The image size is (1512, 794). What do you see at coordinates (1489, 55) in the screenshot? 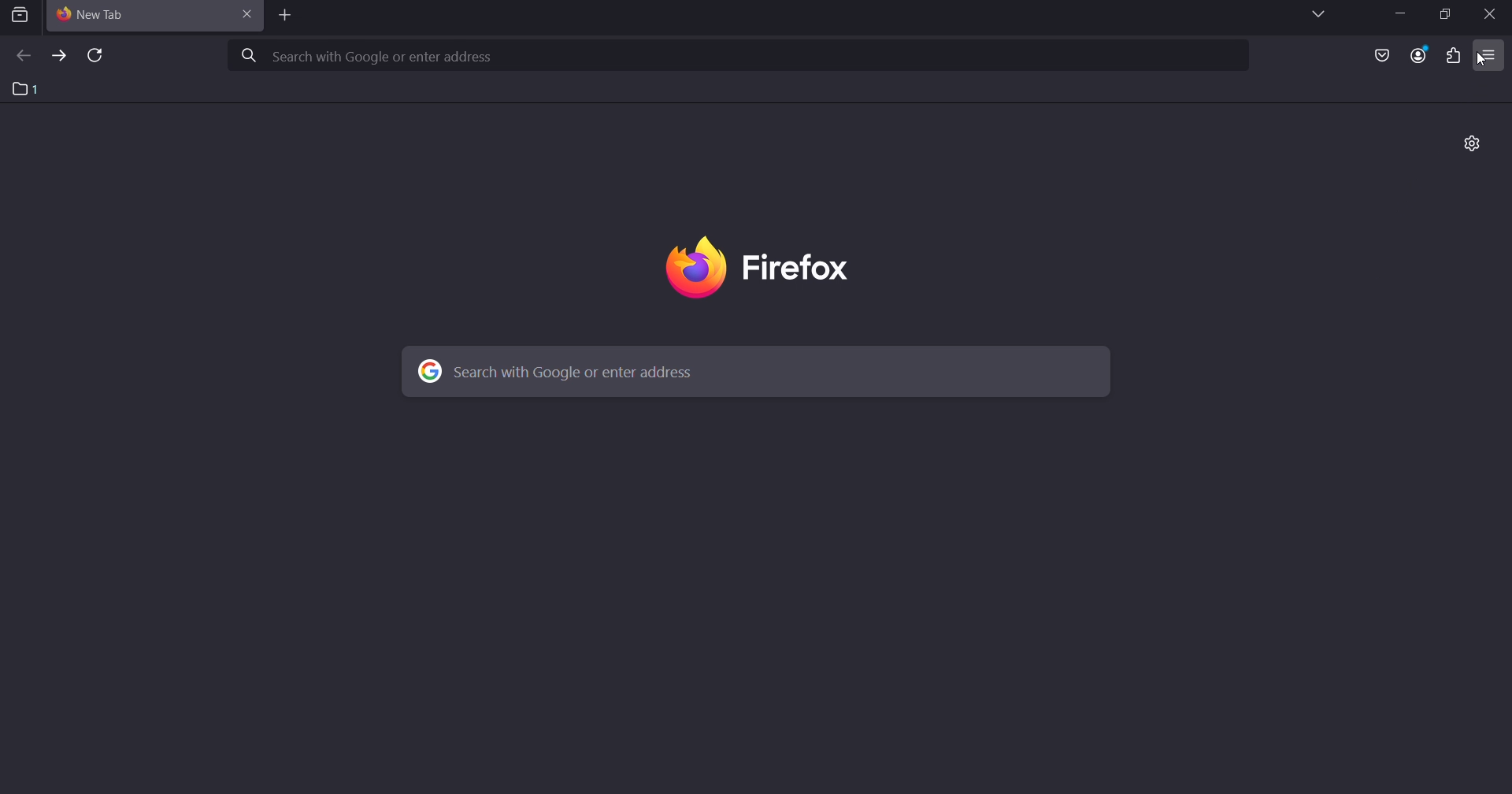
I see `open application menu` at bounding box center [1489, 55].